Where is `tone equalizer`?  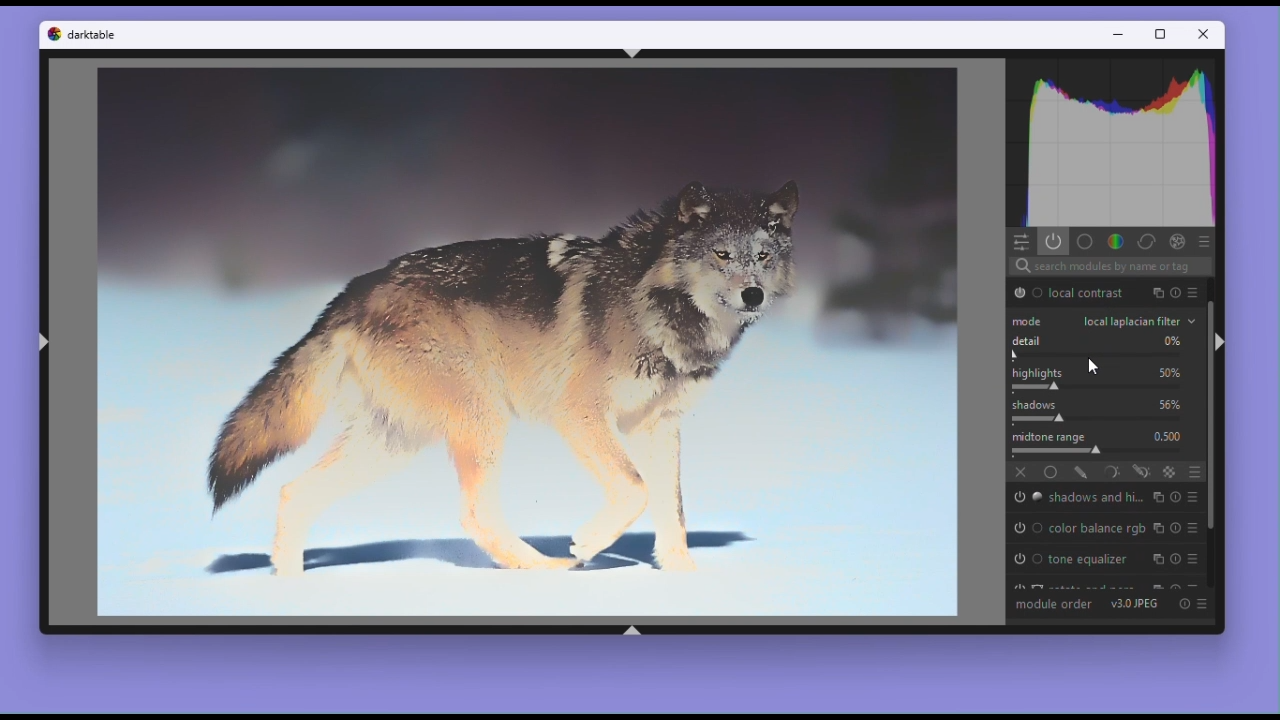
tone equalizer is located at coordinates (1091, 560).